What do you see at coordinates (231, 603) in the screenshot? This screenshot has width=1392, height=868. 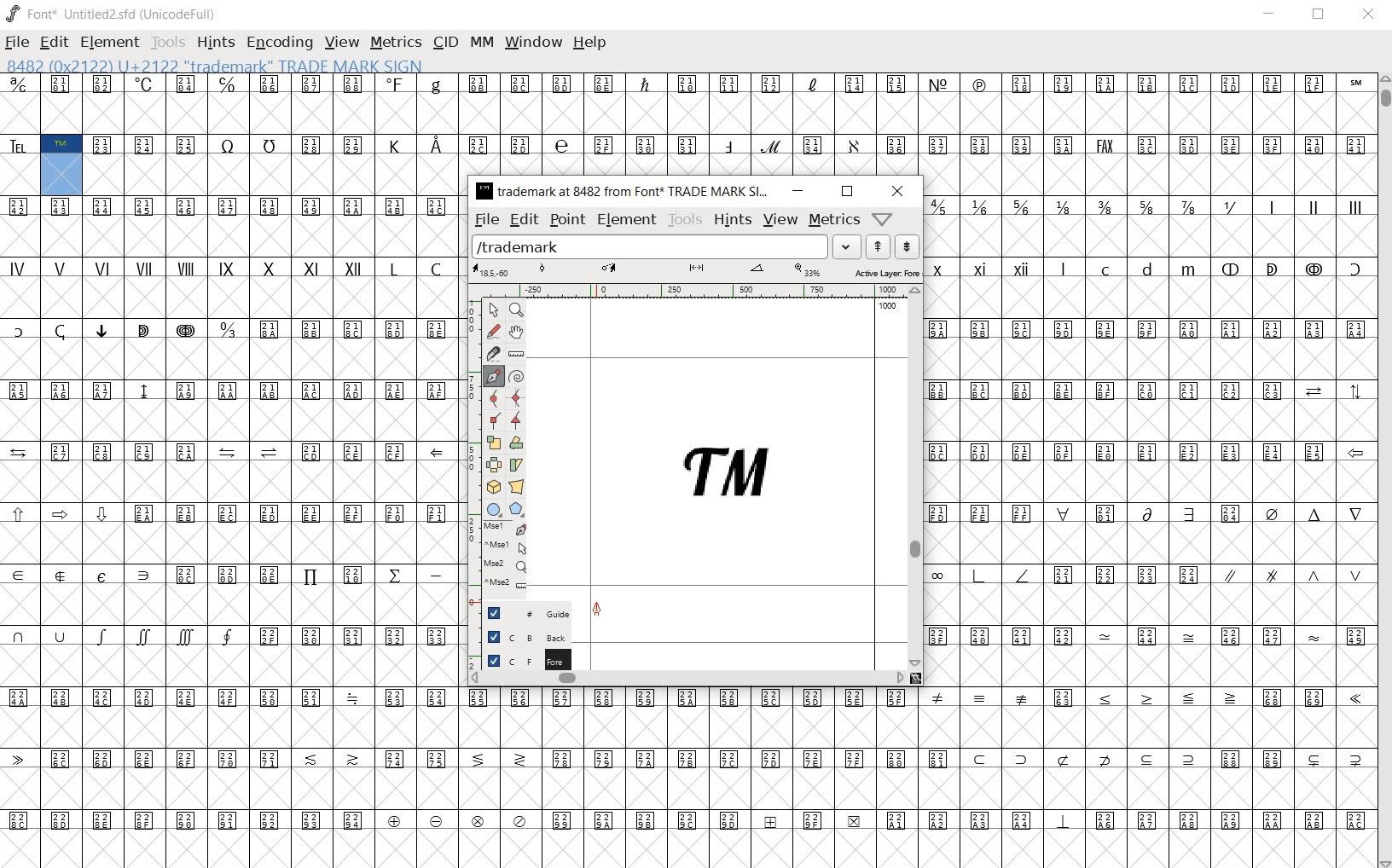 I see `symbols` at bounding box center [231, 603].